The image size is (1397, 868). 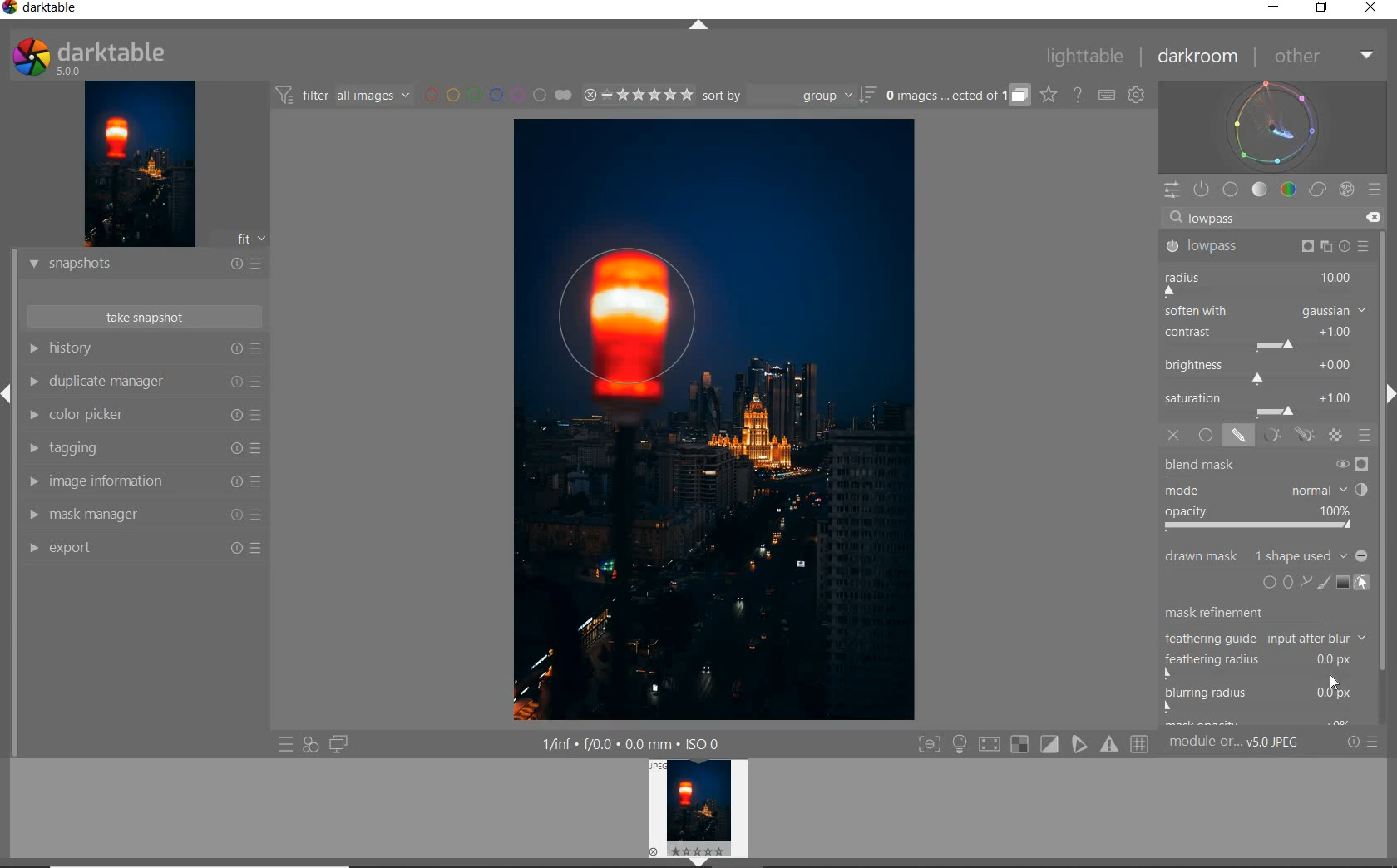 I want to click on RESET OR PRESETS & PREFERENCES, so click(x=1369, y=742).